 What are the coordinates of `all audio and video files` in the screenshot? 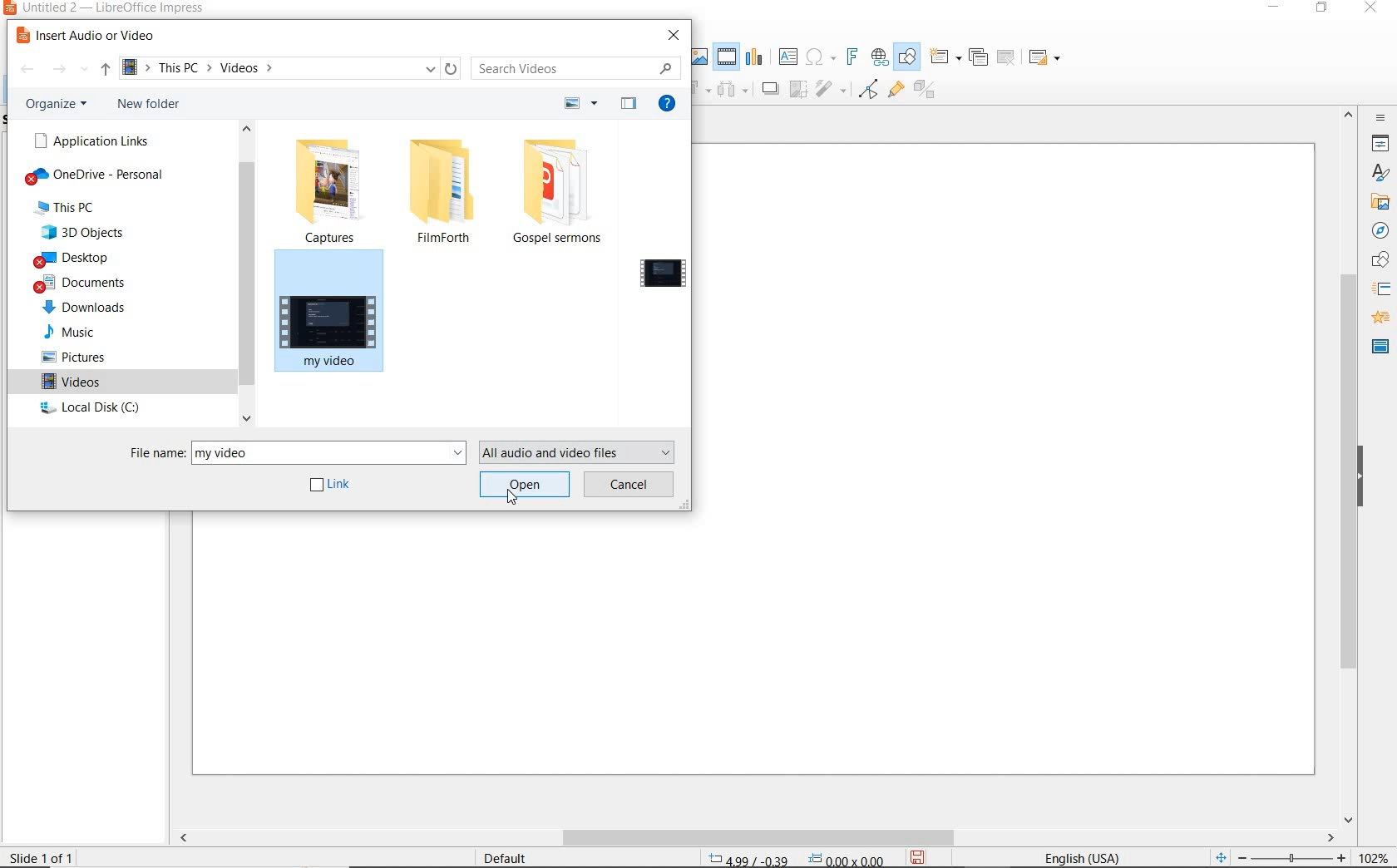 It's located at (581, 451).